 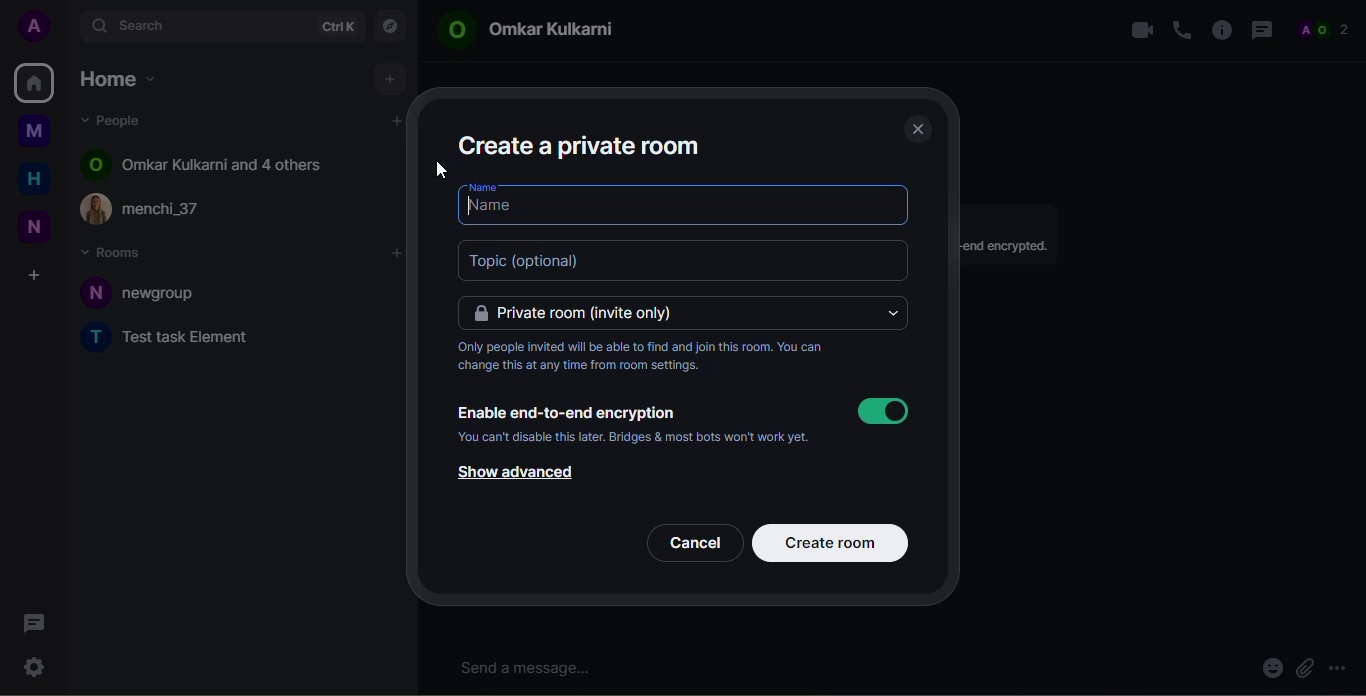 What do you see at coordinates (531, 668) in the screenshot?
I see `send message` at bounding box center [531, 668].